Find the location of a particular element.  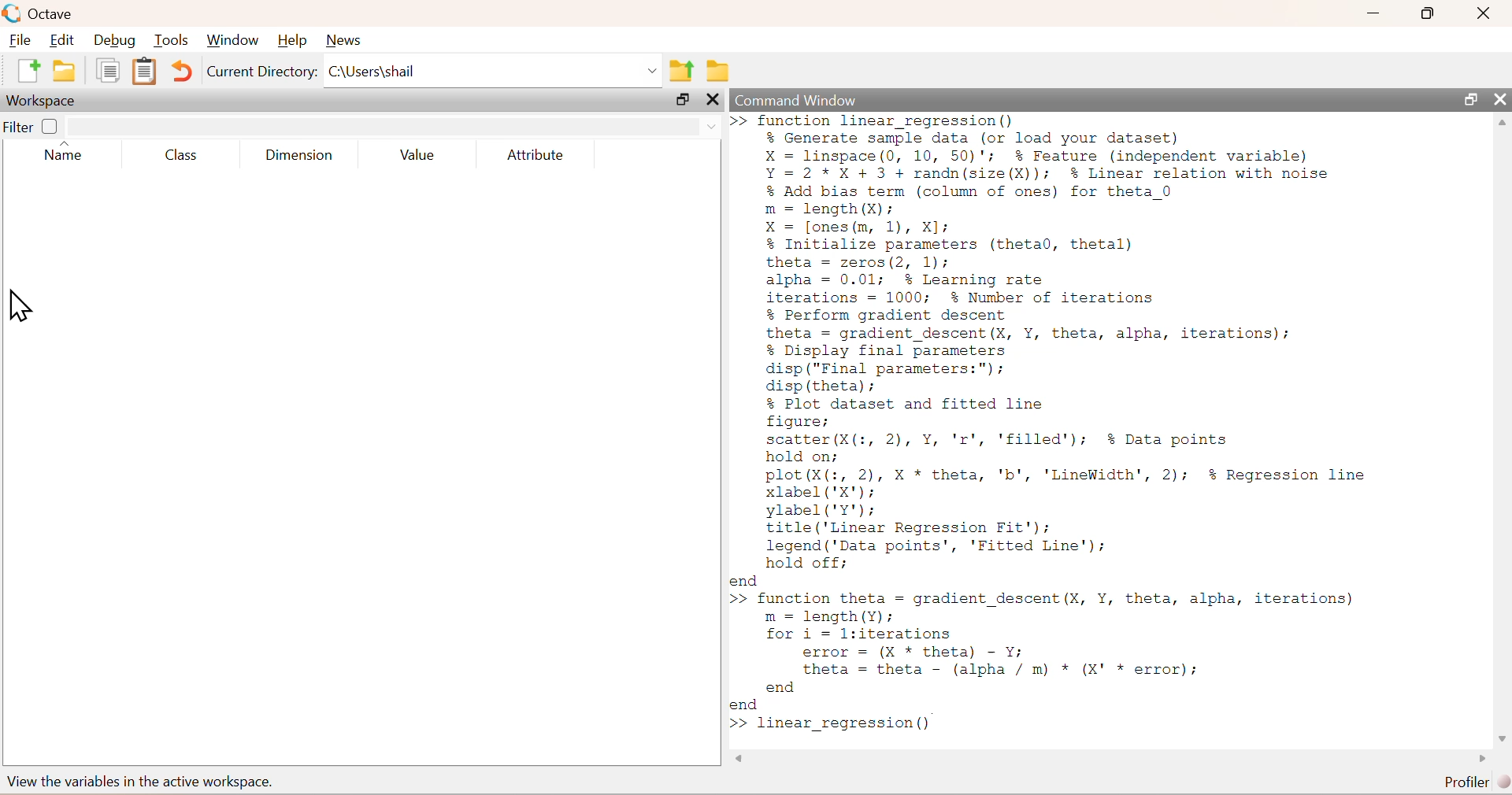

close is located at coordinates (712, 99).